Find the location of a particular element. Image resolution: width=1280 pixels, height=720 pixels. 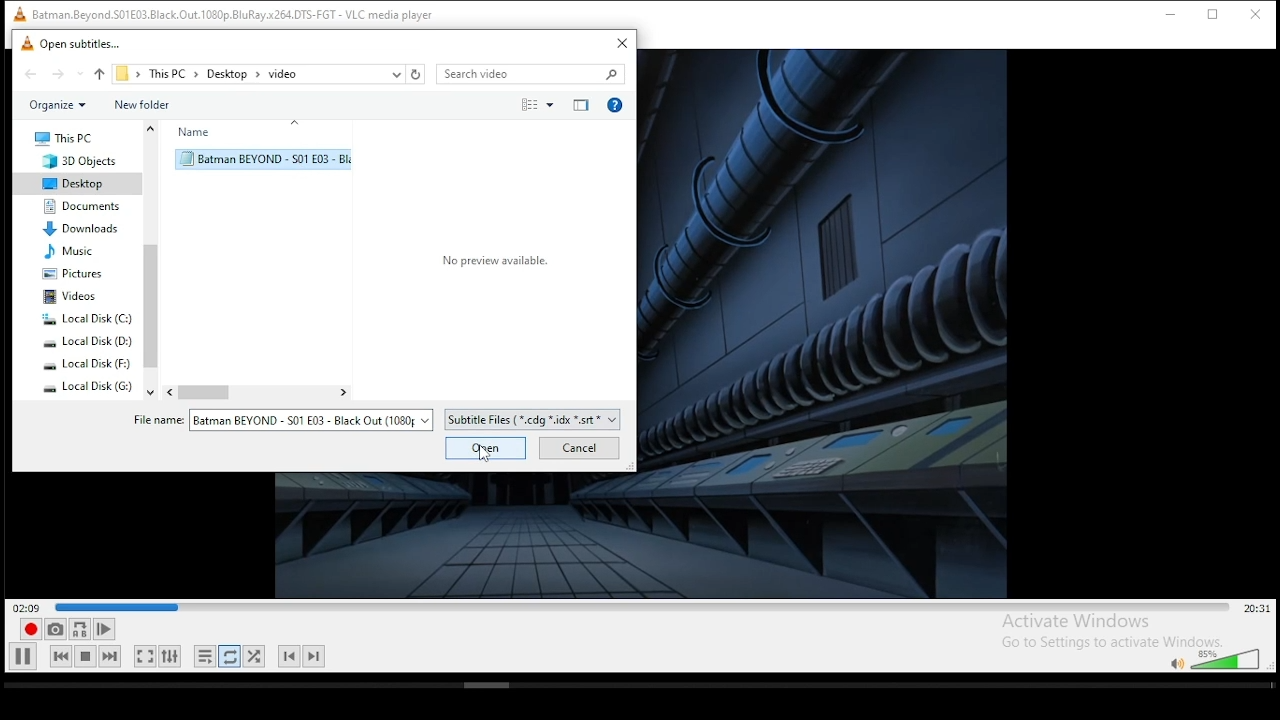

close window is located at coordinates (1256, 13).